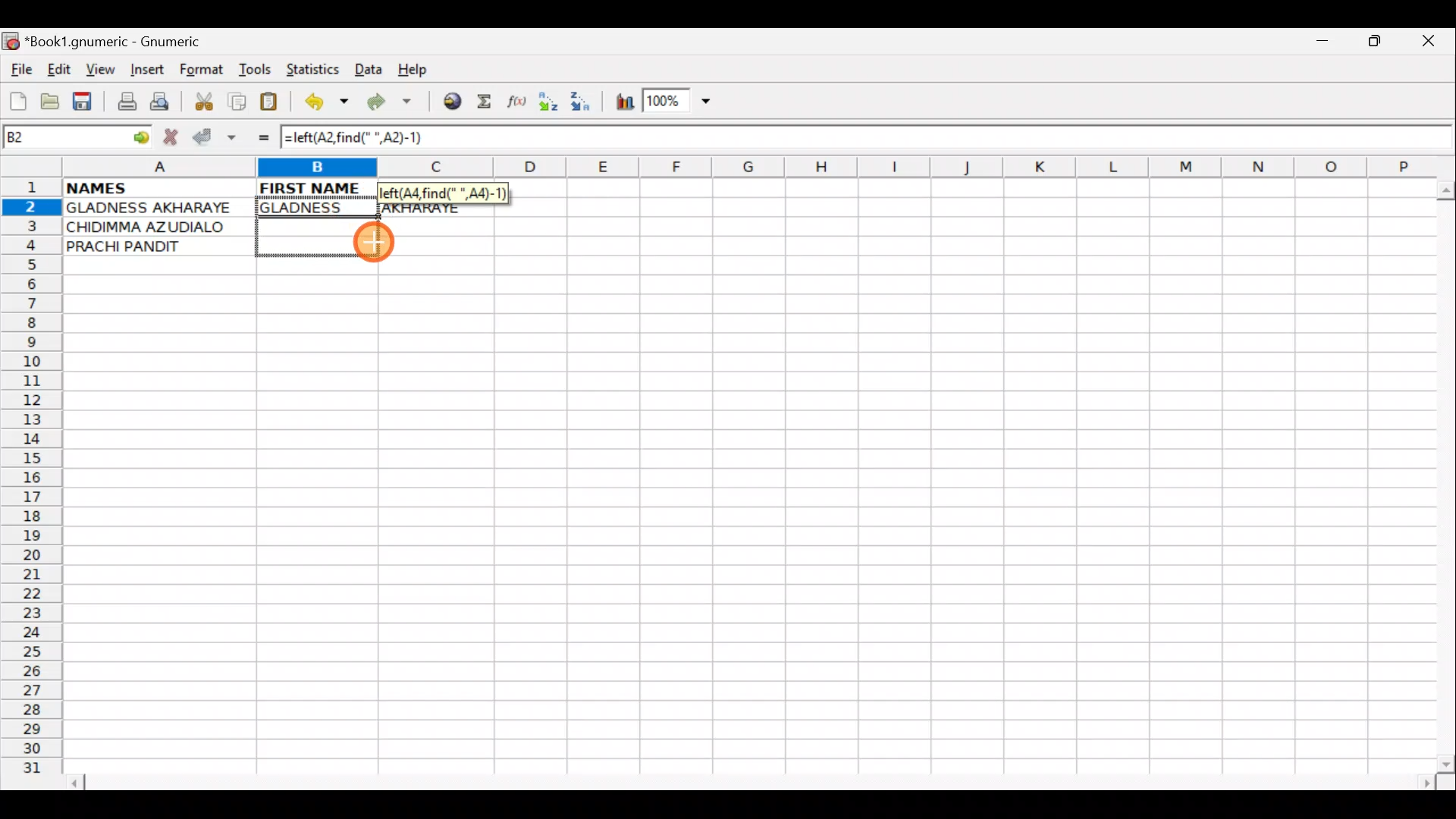 The image size is (1456, 819). Describe the element at coordinates (585, 105) in the screenshot. I see `Sort Descending order` at that location.